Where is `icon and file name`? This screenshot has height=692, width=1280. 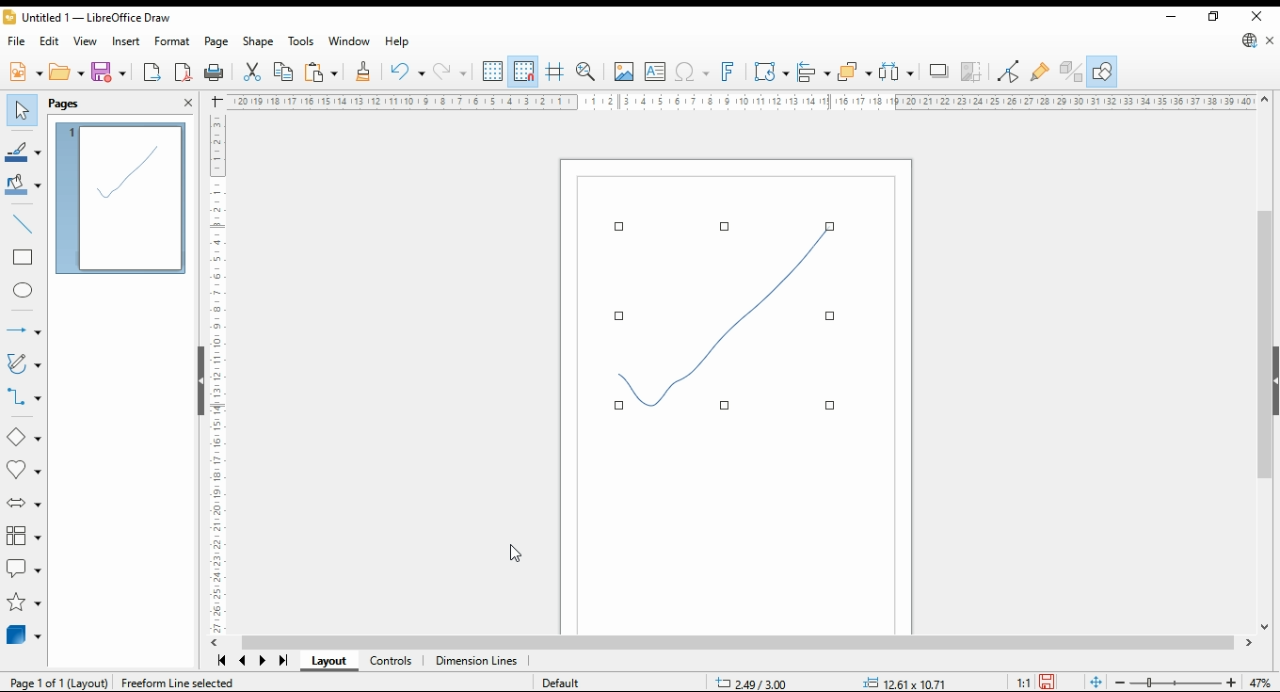 icon and file name is located at coordinates (88, 17).